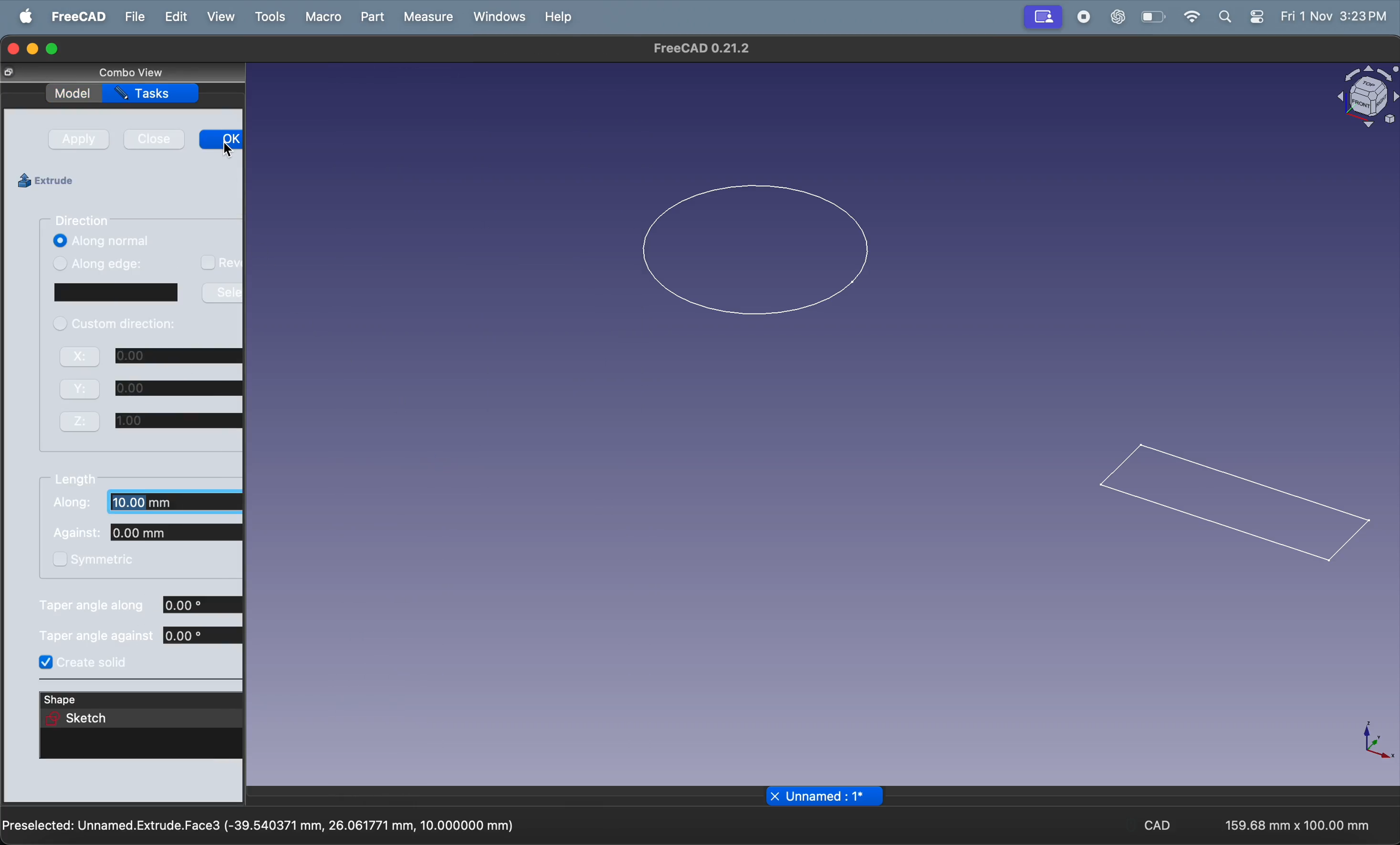  Describe the element at coordinates (176, 16) in the screenshot. I see `Edit` at that location.